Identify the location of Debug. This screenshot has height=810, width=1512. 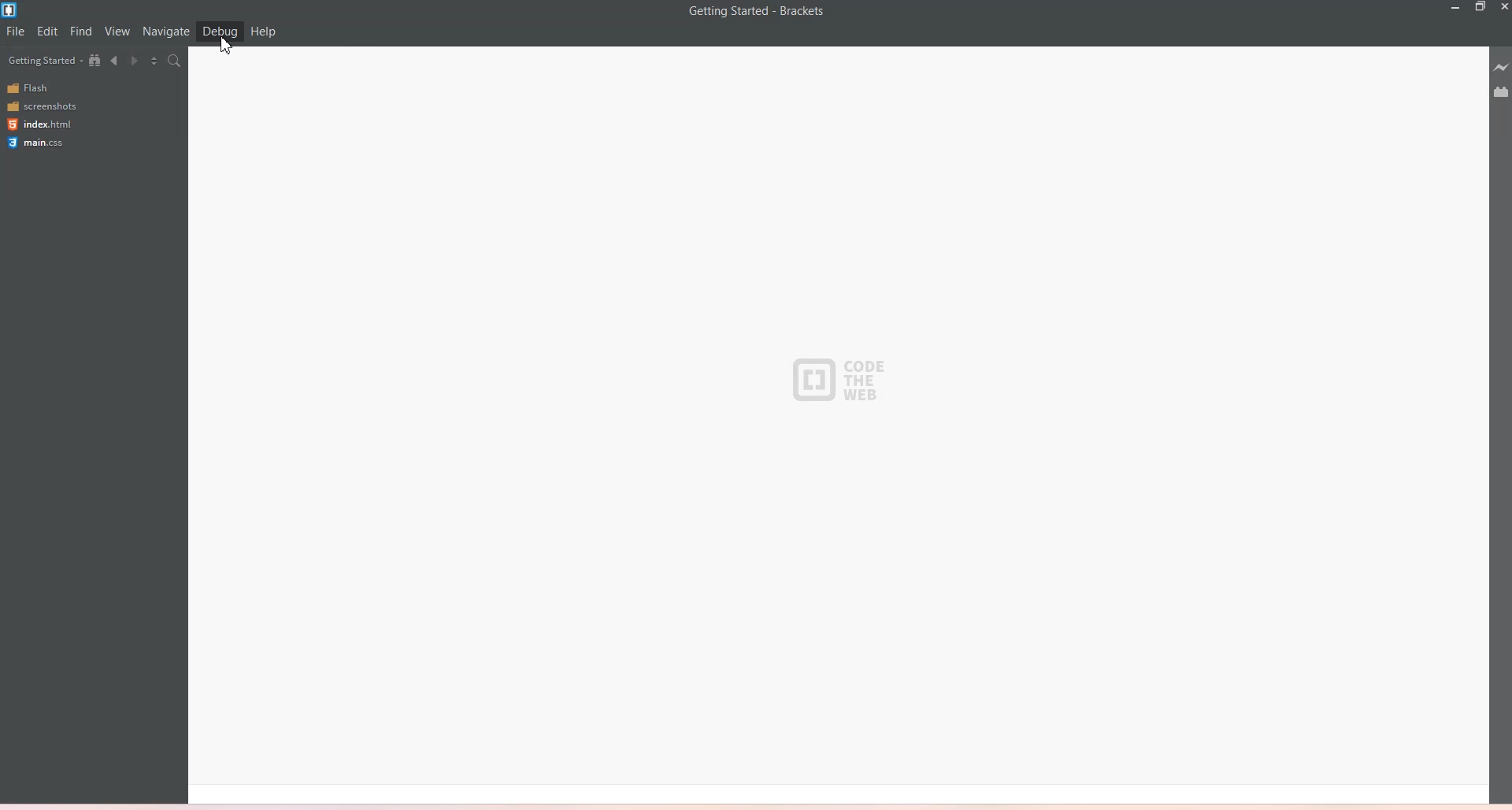
(220, 32).